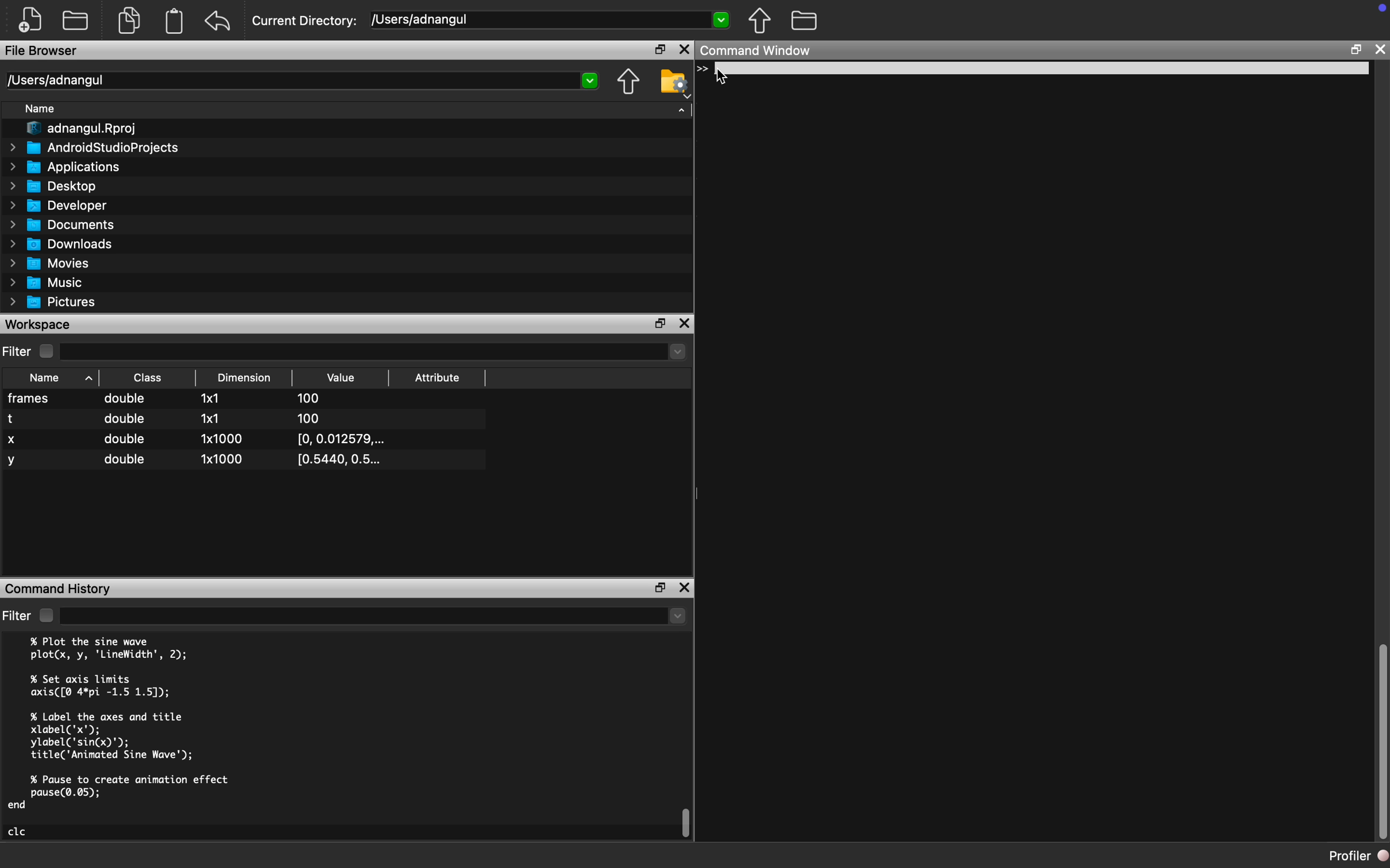 The width and height of the screenshot is (1390, 868). I want to click on Pictures, so click(53, 301).